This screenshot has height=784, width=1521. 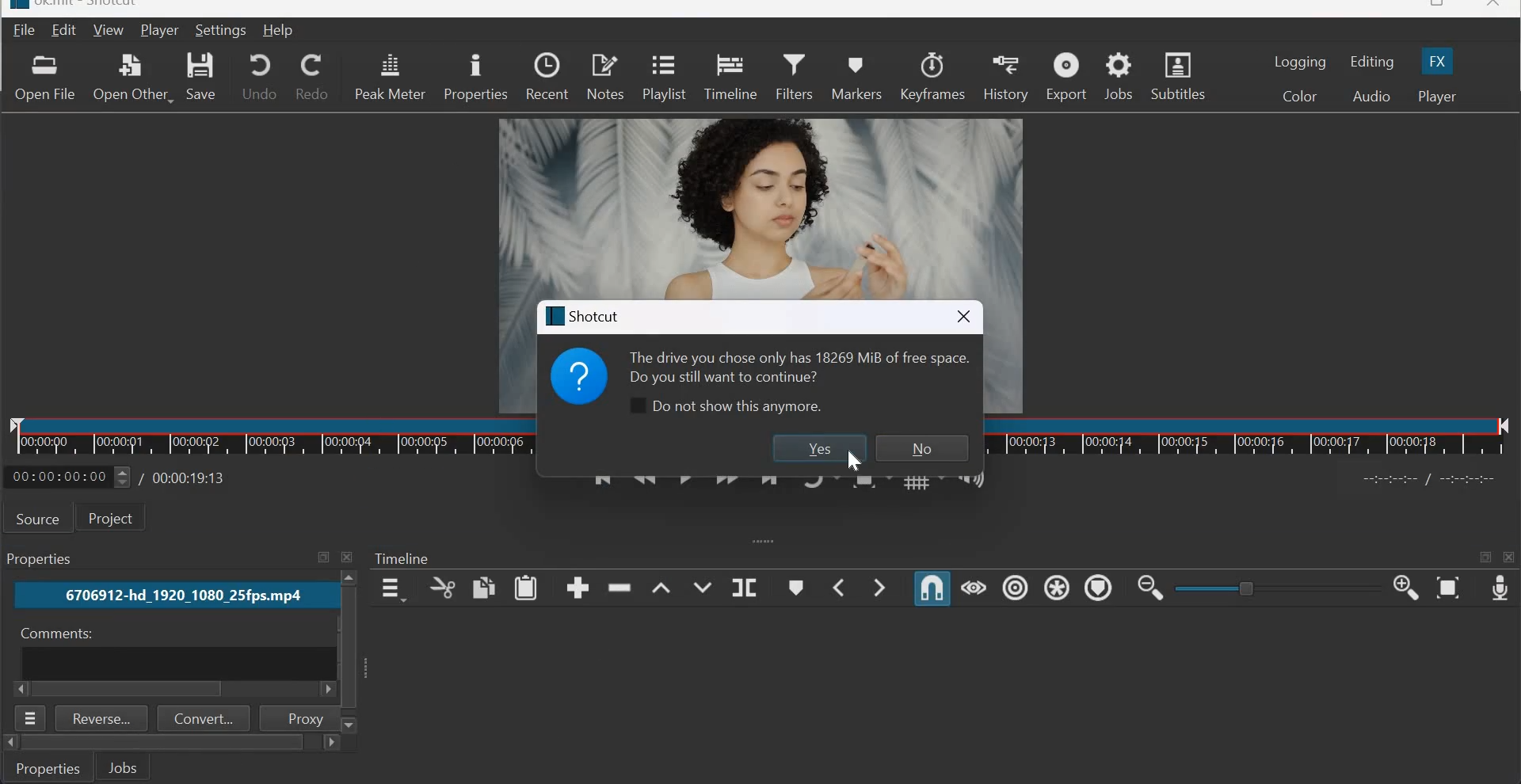 What do you see at coordinates (44, 78) in the screenshot?
I see `Open file` at bounding box center [44, 78].